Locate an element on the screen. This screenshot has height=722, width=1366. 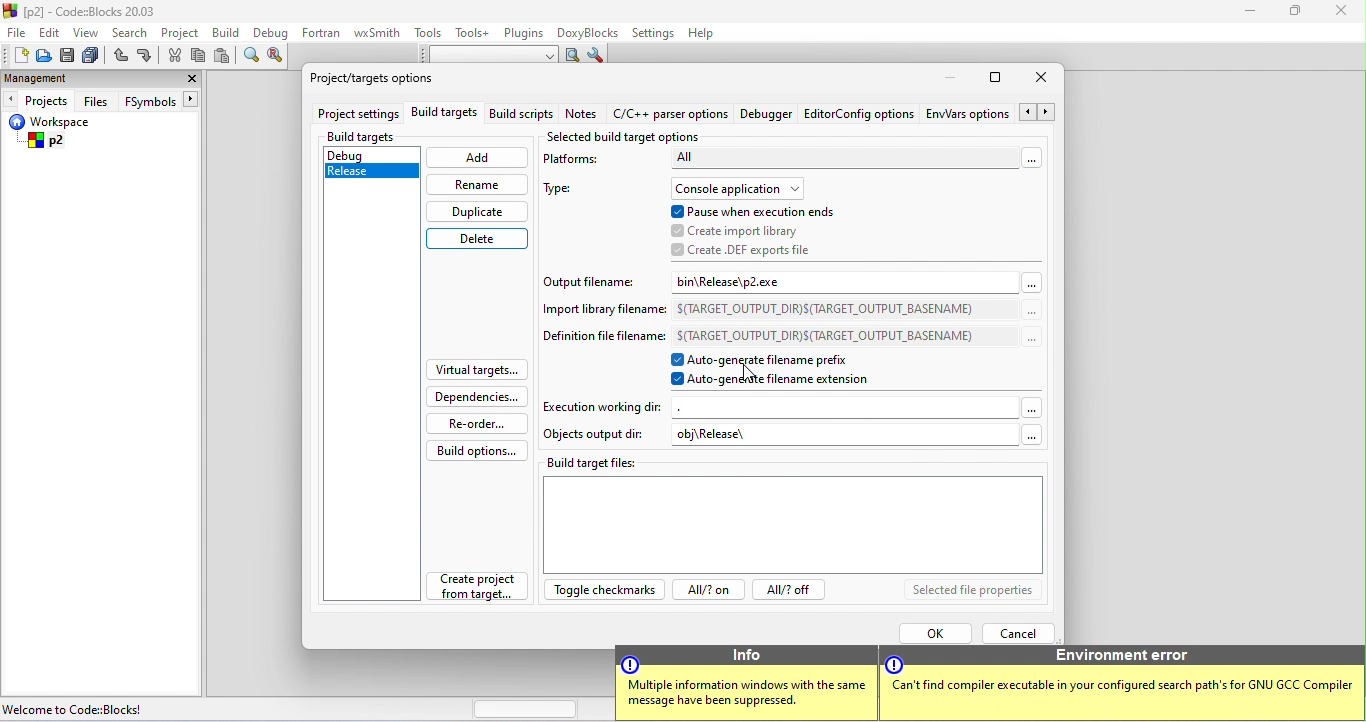
settings is located at coordinates (655, 32).